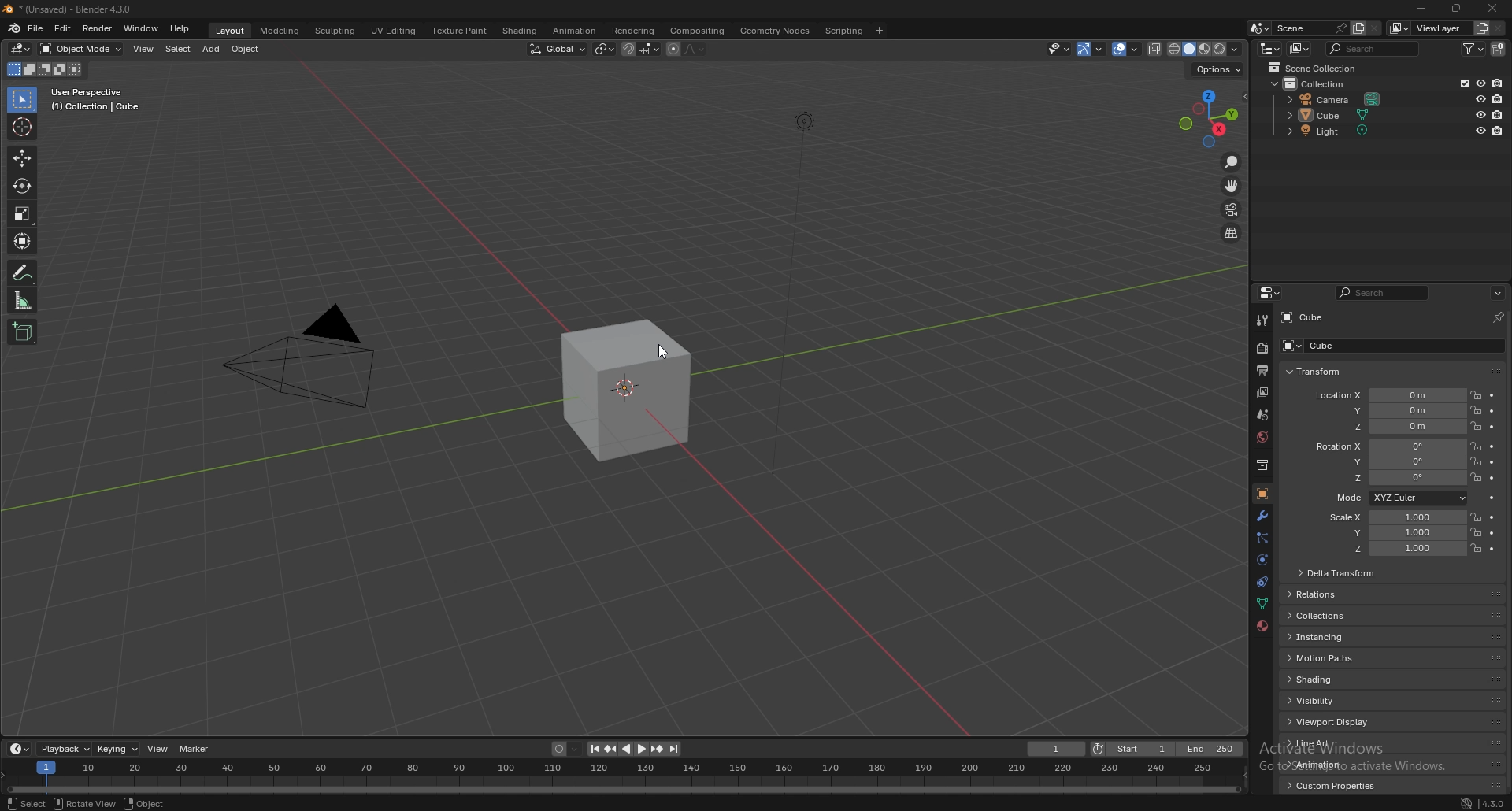 The image size is (1512, 811). I want to click on lock, so click(1477, 411).